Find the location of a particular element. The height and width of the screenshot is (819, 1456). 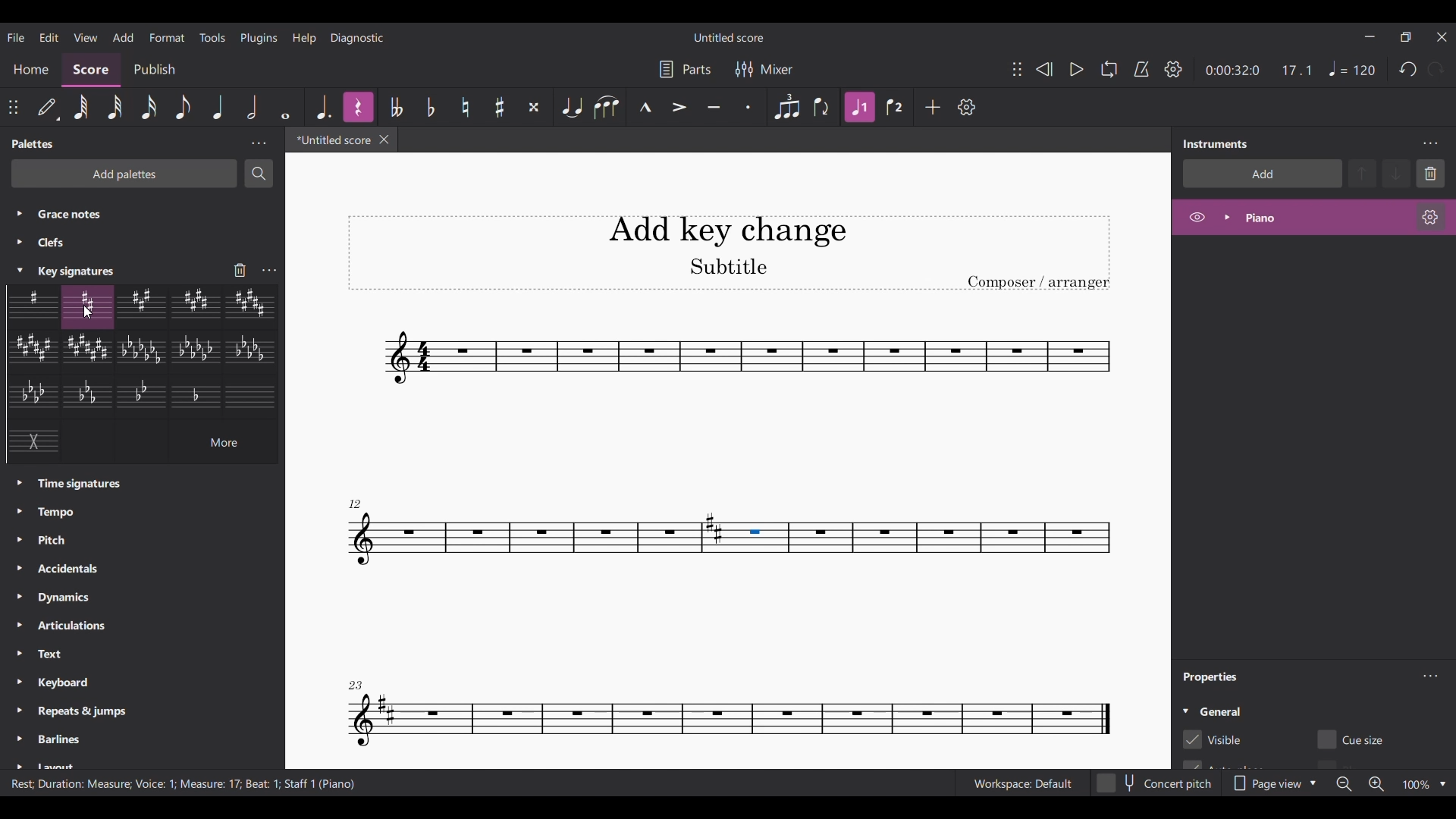

Palettes listed under all palettes is located at coordinates (122, 240).